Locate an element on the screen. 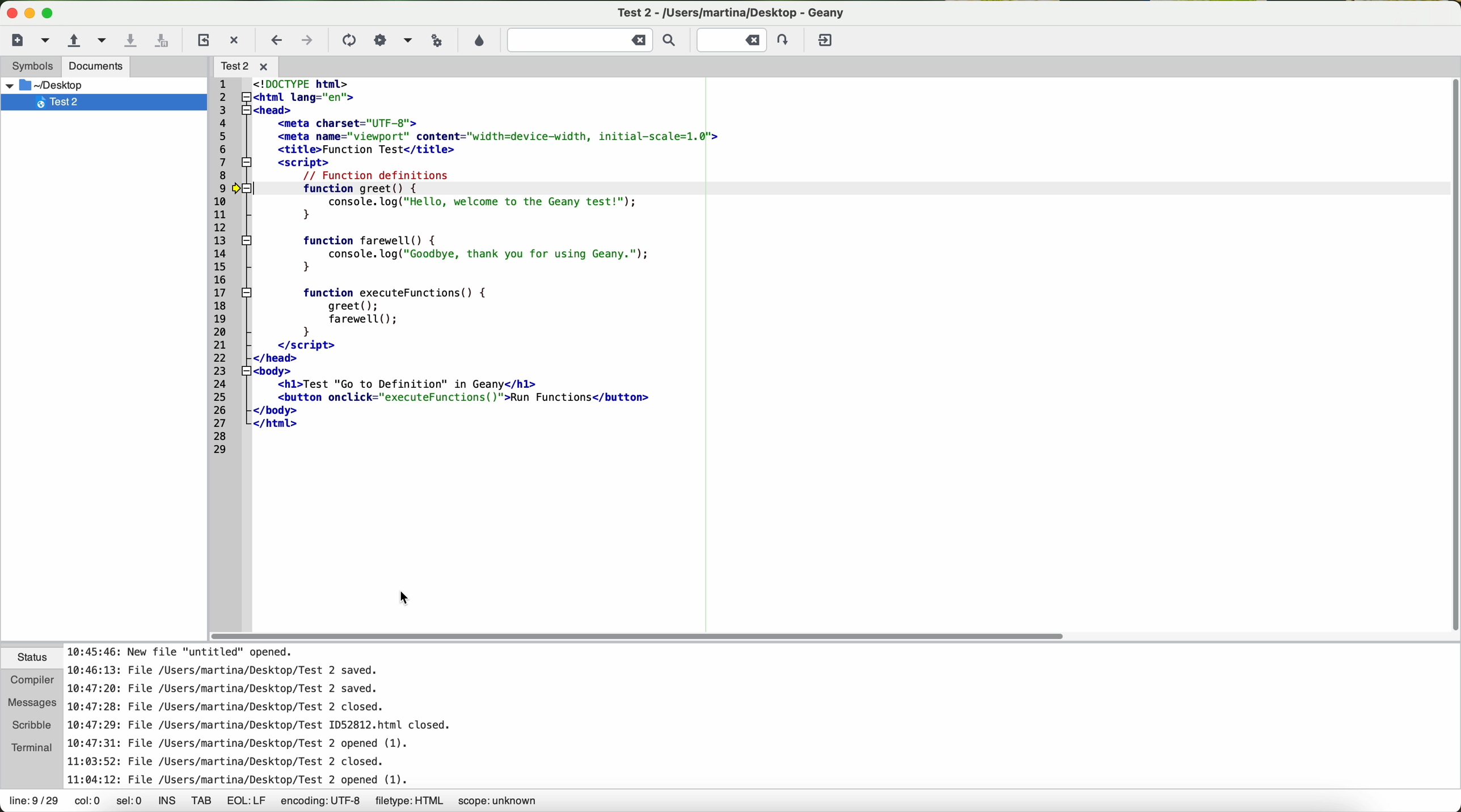 The width and height of the screenshot is (1461, 812). test 2 is located at coordinates (735, 12).